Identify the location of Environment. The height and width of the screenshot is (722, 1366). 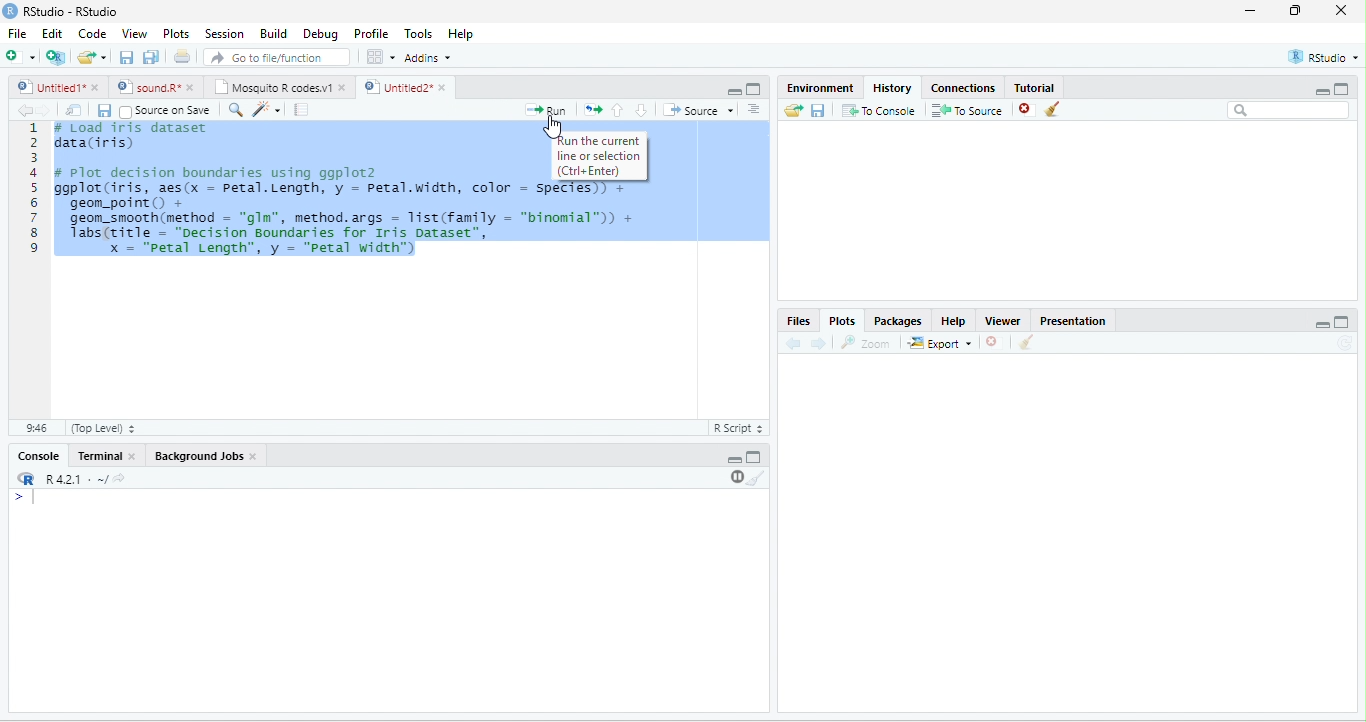
(821, 87).